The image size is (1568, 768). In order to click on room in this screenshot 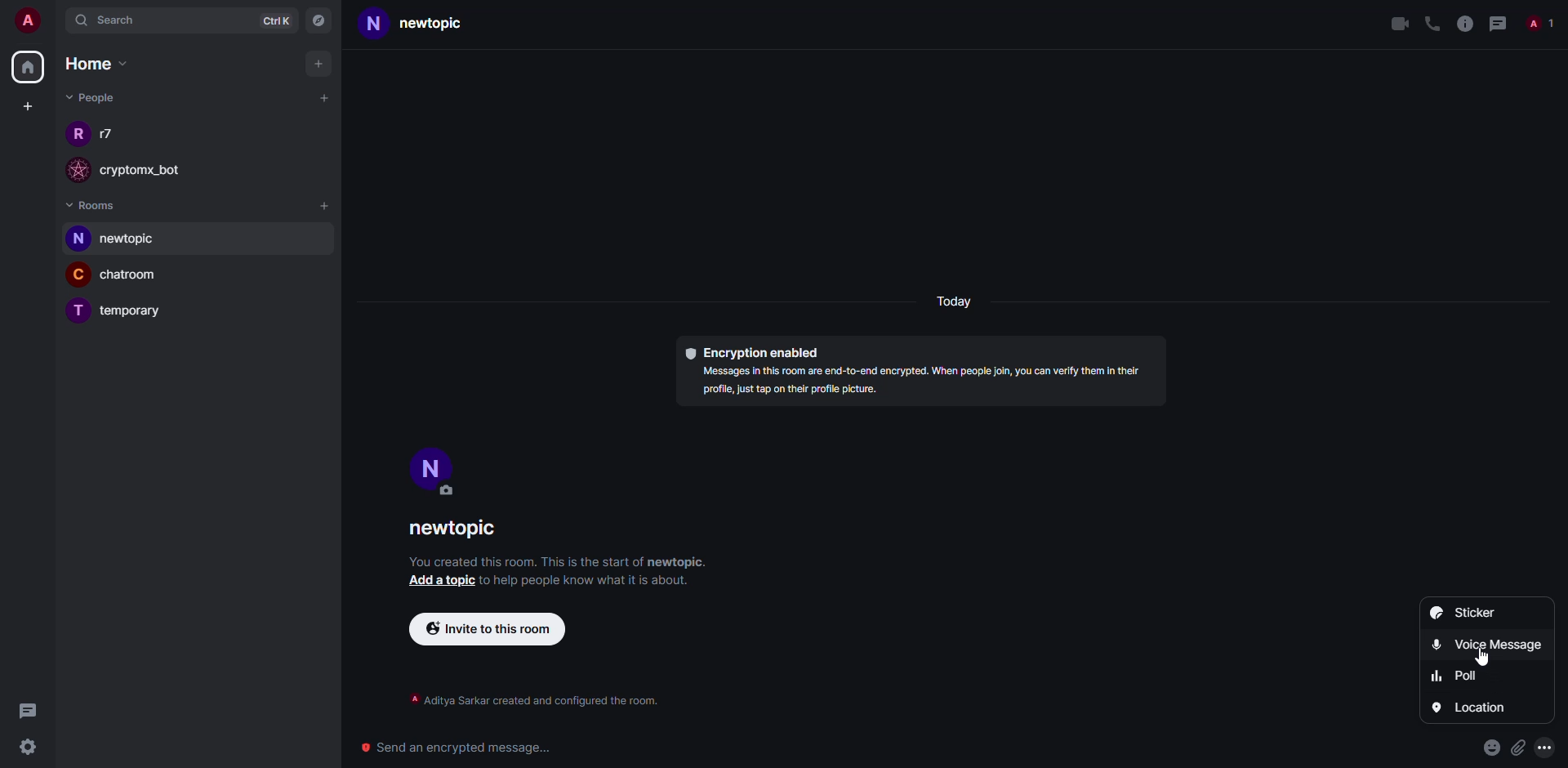, I will do `click(133, 312)`.